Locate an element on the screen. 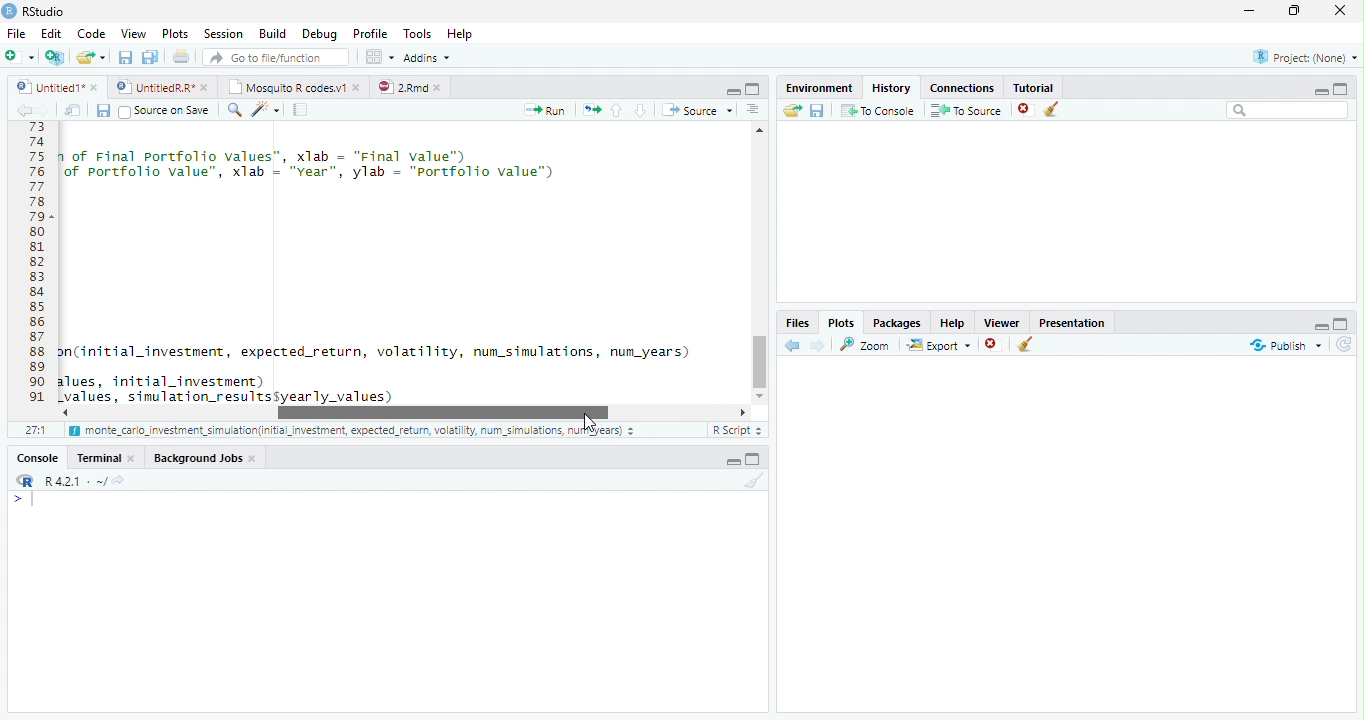 The height and width of the screenshot is (720, 1364). To Source is located at coordinates (966, 110).